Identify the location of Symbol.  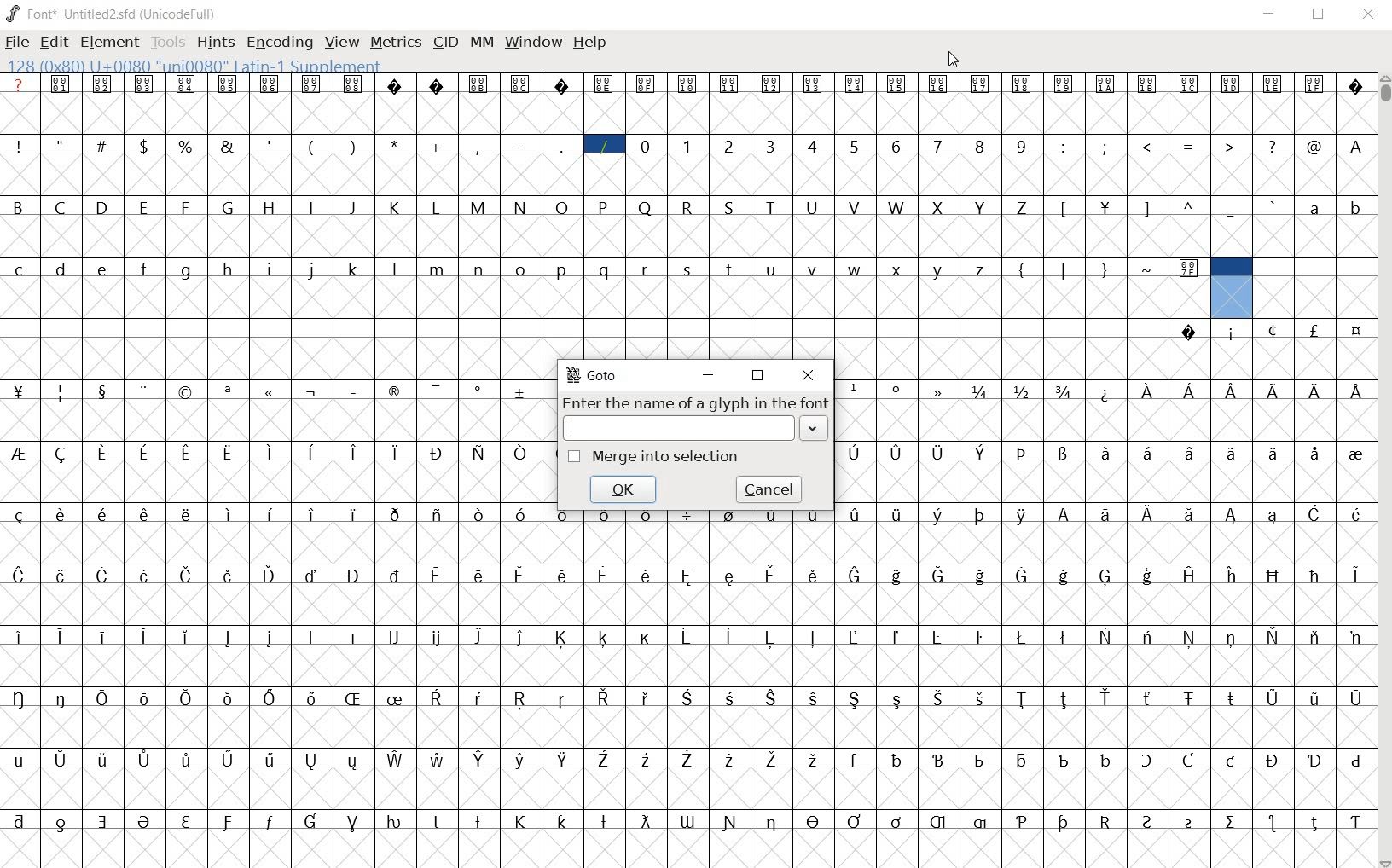
(1354, 391).